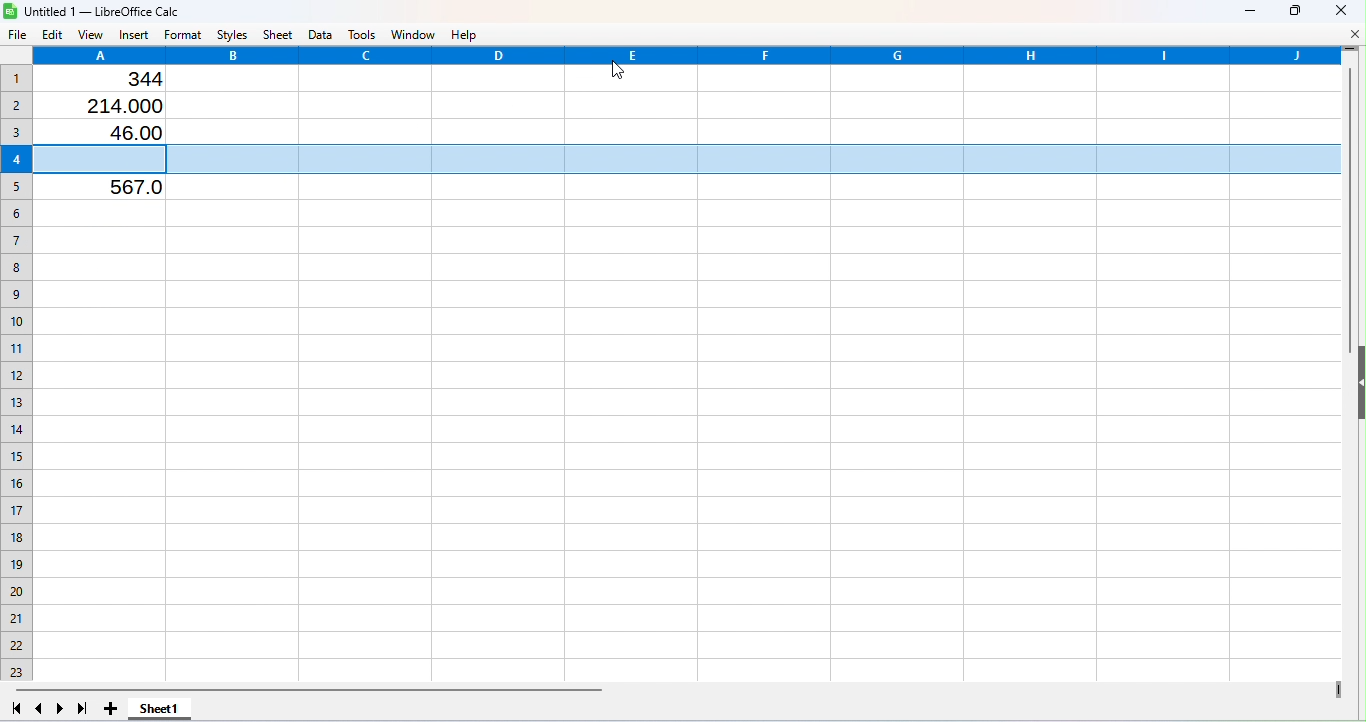 Image resolution: width=1366 pixels, height=722 pixels. I want to click on Styles, so click(232, 33).